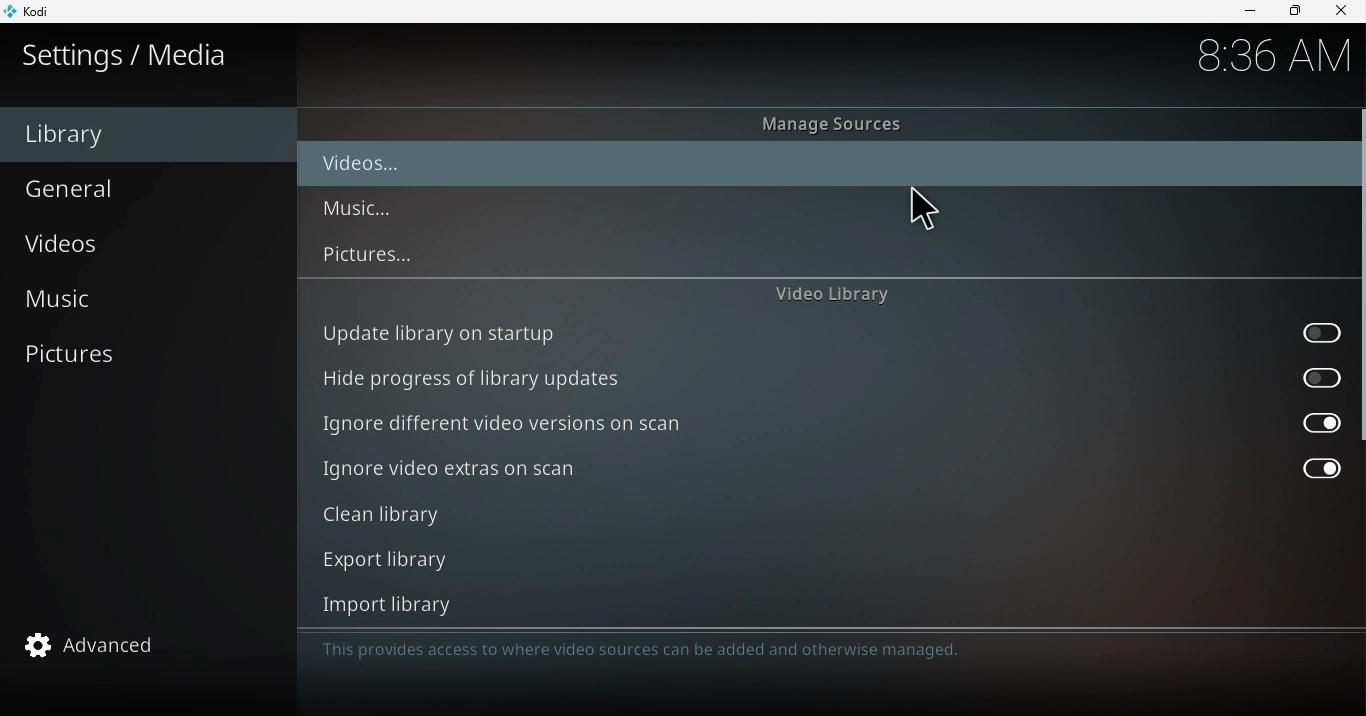 The width and height of the screenshot is (1366, 716). What do you see at coordinates (827, 423) in the screenshot?
I see `Ignore different video versions on scan` at bounding box center [827, 423].